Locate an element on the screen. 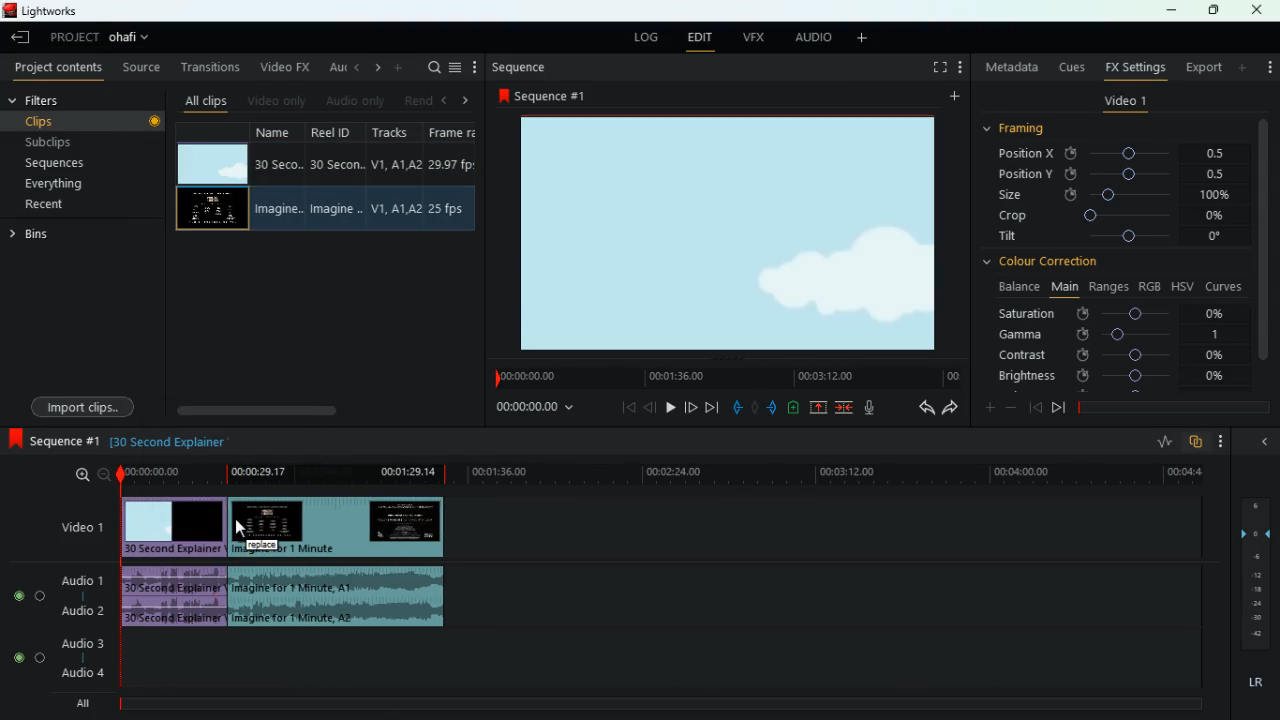 The width and height of the screenshot is (1280, 720). metadata is located at coordinates (1012, 67).